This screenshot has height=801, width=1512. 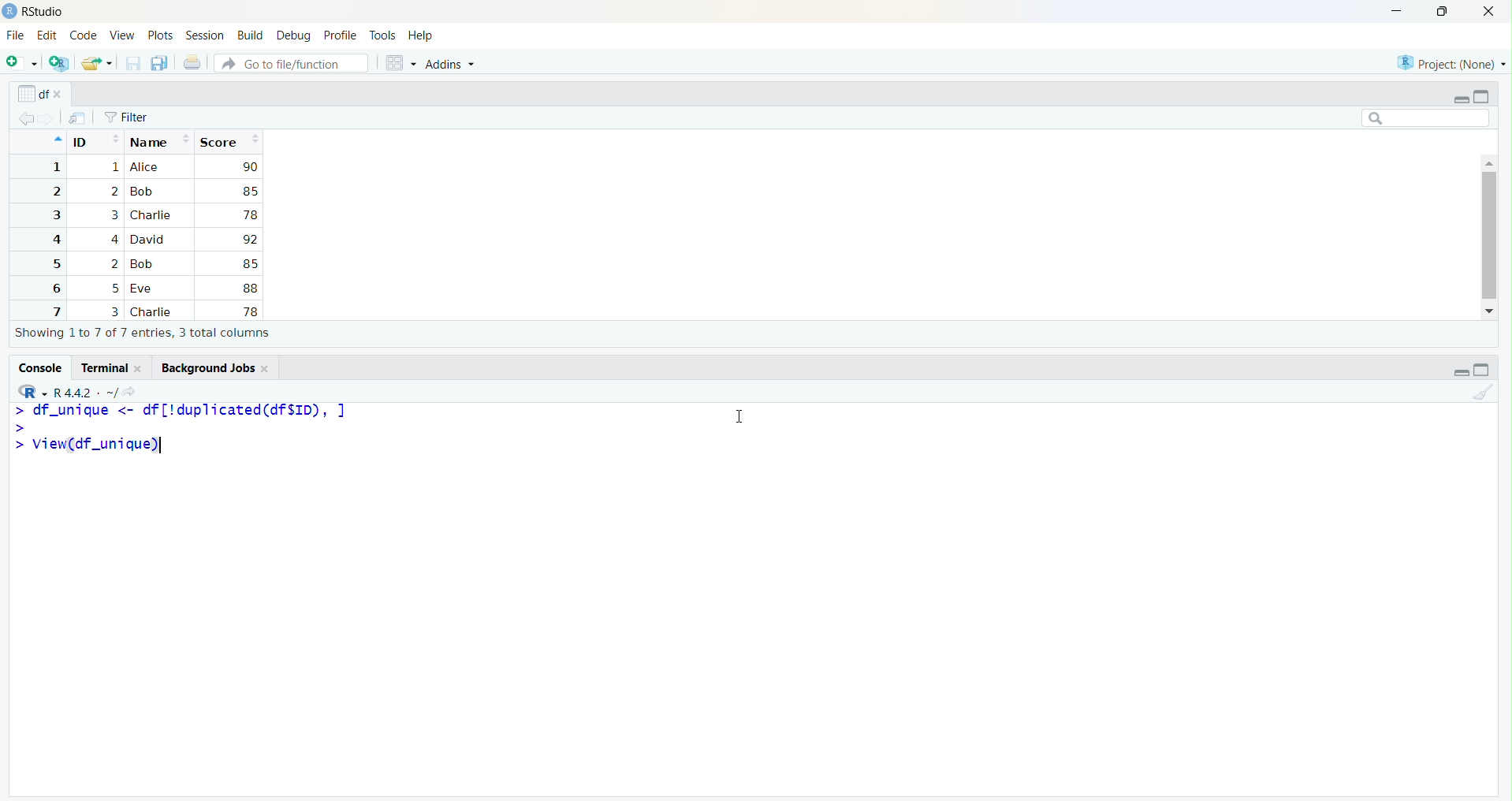 I want to click on Eve, so click(x=145, y=289).